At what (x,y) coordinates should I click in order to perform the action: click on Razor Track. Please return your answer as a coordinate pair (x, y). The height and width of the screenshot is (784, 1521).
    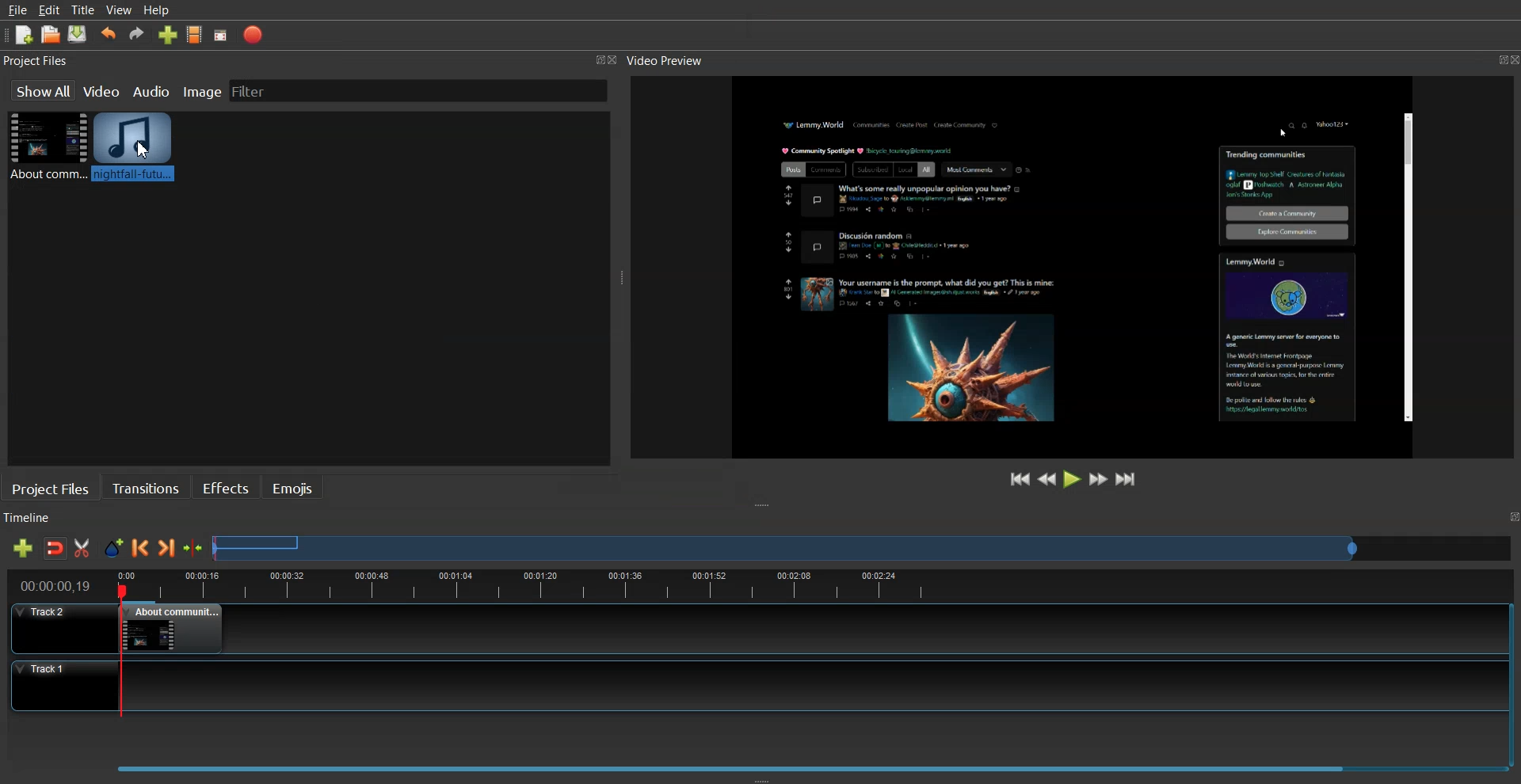
    Looking at the image, I should click on (83, 548).